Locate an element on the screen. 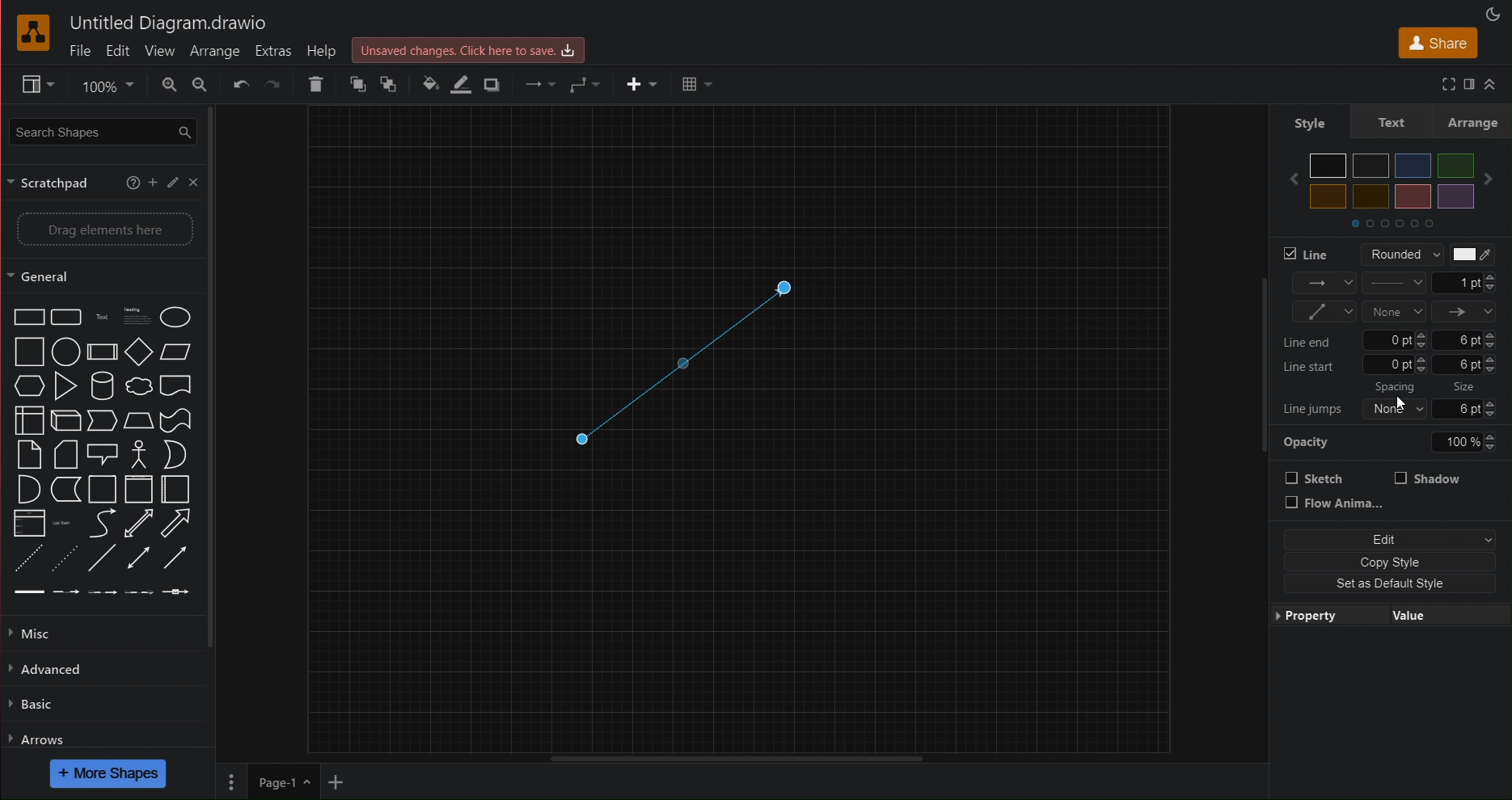 The width and height of the screenshot is (1512, 800). Zoom In is located at coordinates (168, 84).